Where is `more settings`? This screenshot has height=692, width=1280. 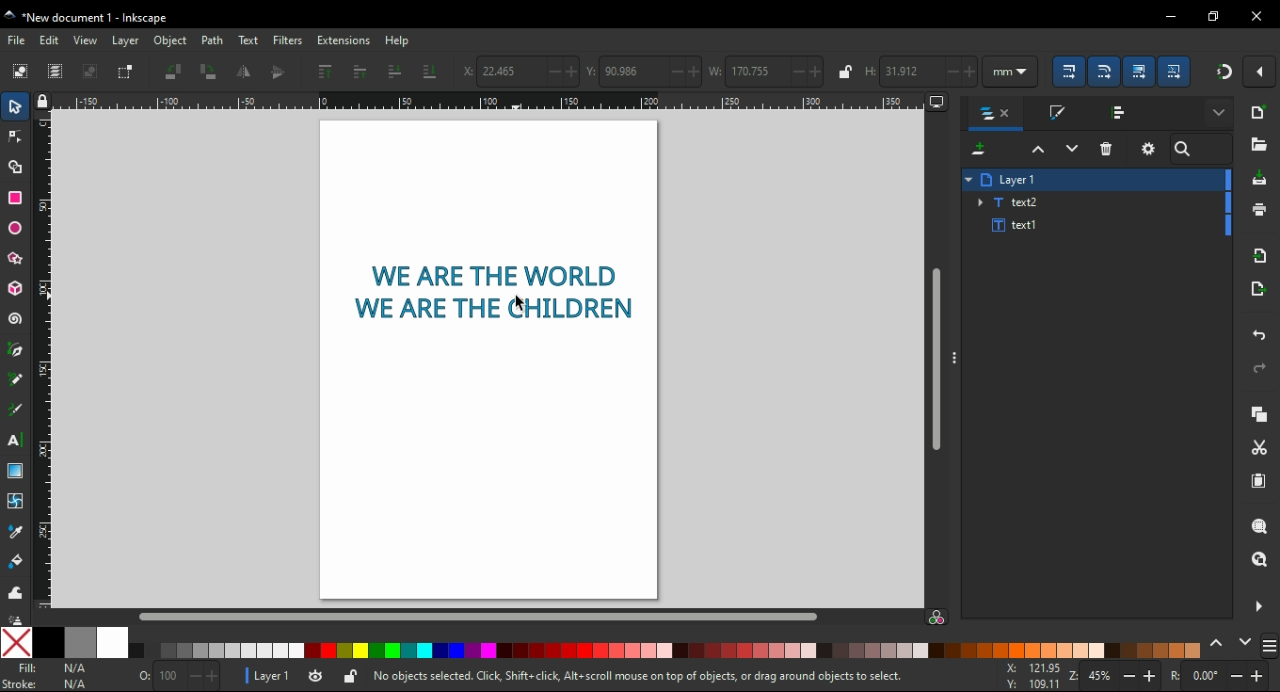
more settings is located at coordinates (1269, 646).